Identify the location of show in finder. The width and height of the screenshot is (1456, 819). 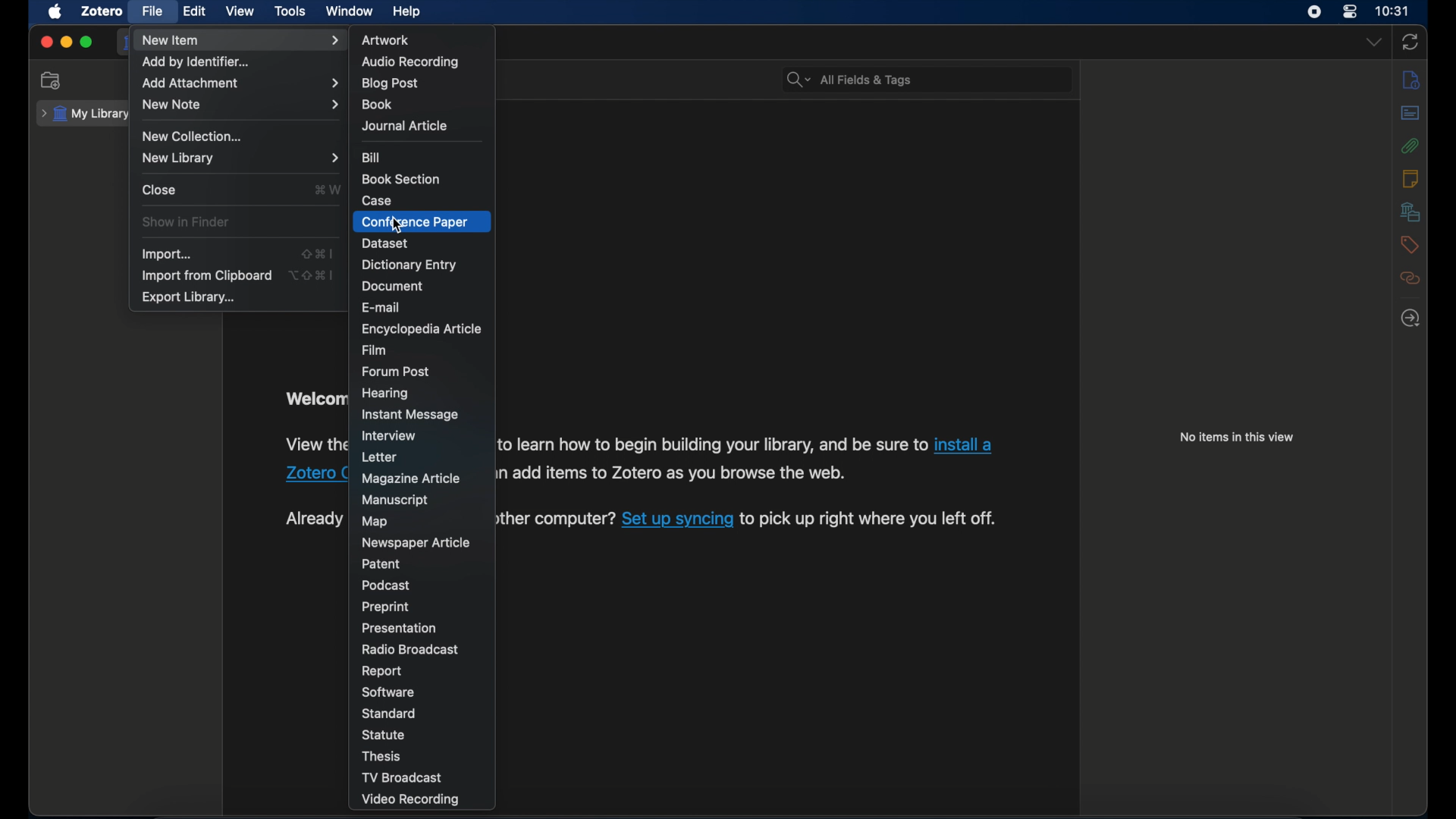
(184, 221).